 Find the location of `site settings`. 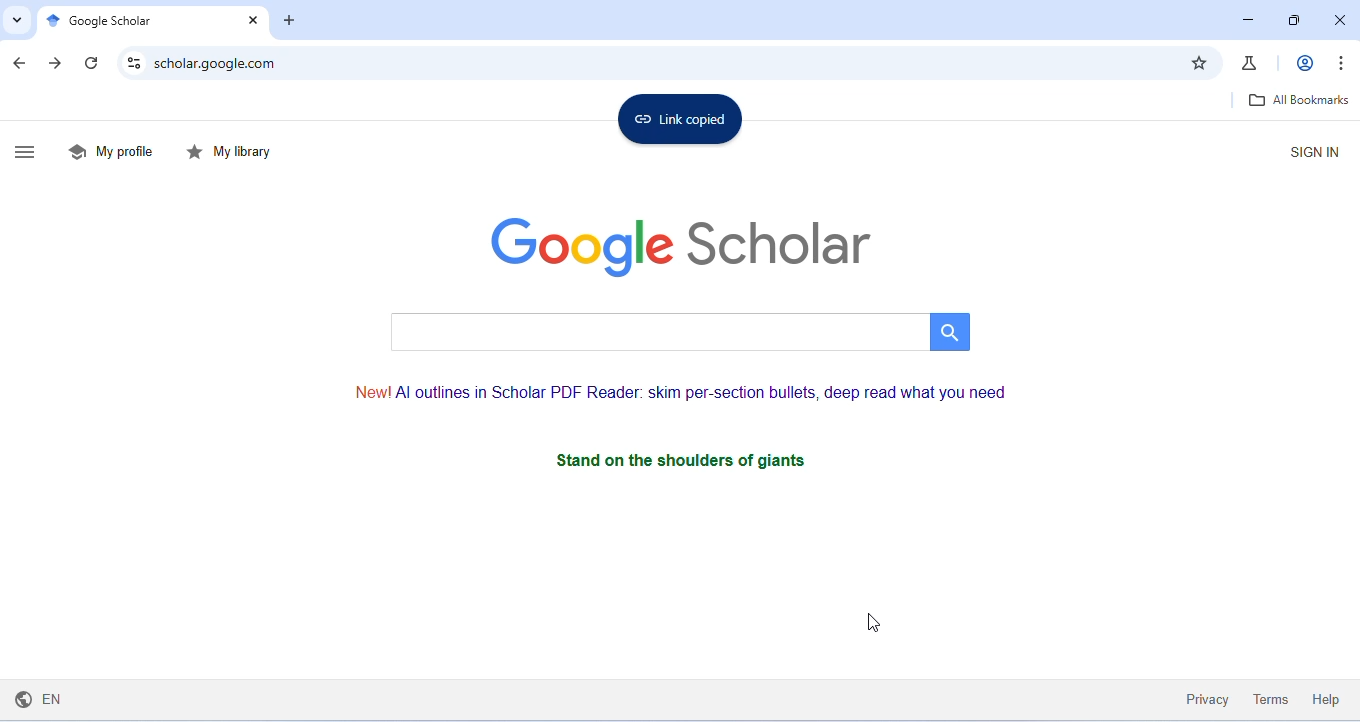

site settings is located at coordinates (133, 62).